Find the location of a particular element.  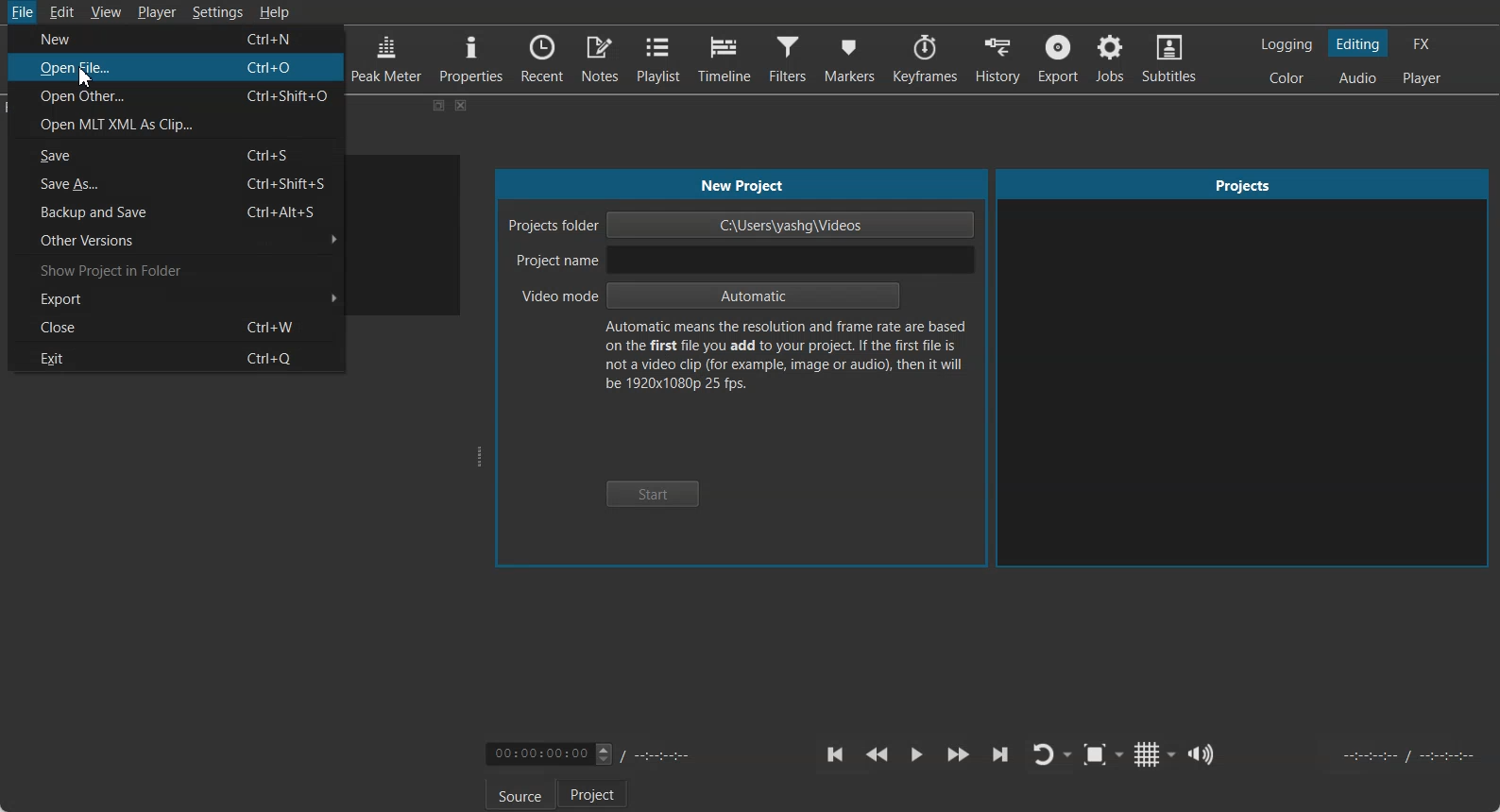

Toggle grid display on the player is located at coordinates (1149, 754).